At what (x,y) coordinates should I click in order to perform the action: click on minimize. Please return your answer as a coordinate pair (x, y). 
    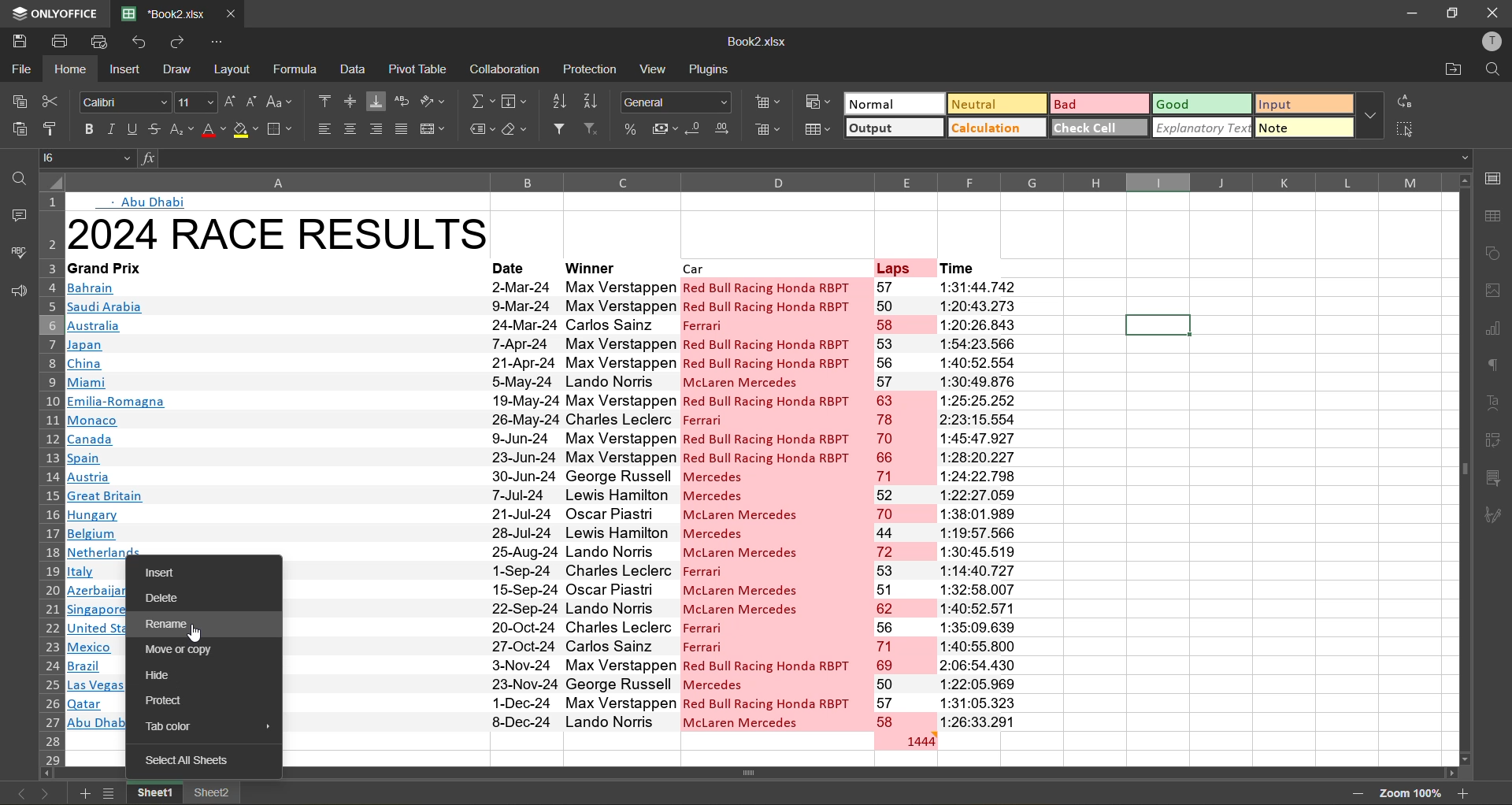
    Looking at the image, I should click on (1406, 14).